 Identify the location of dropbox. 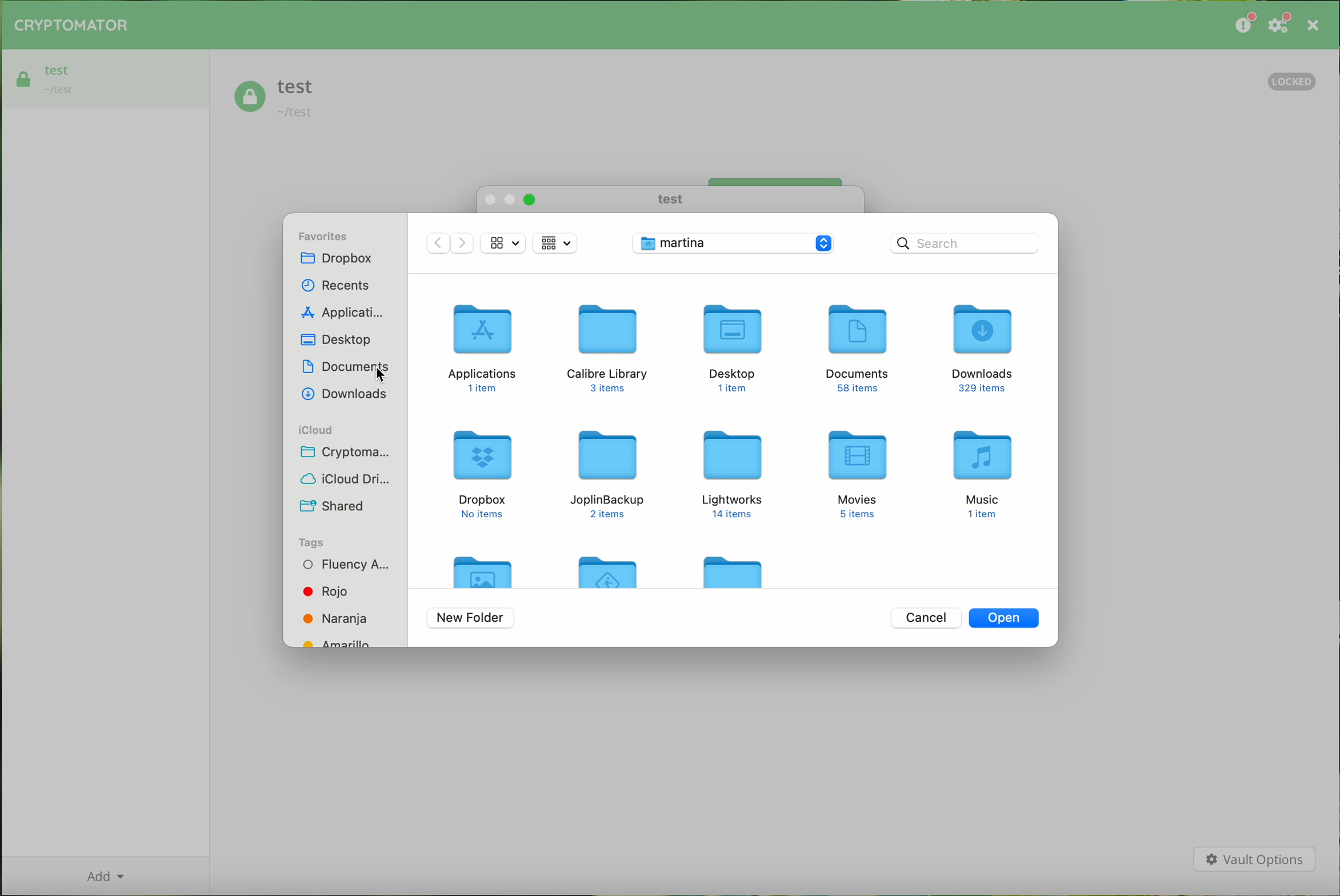
(341, 260).